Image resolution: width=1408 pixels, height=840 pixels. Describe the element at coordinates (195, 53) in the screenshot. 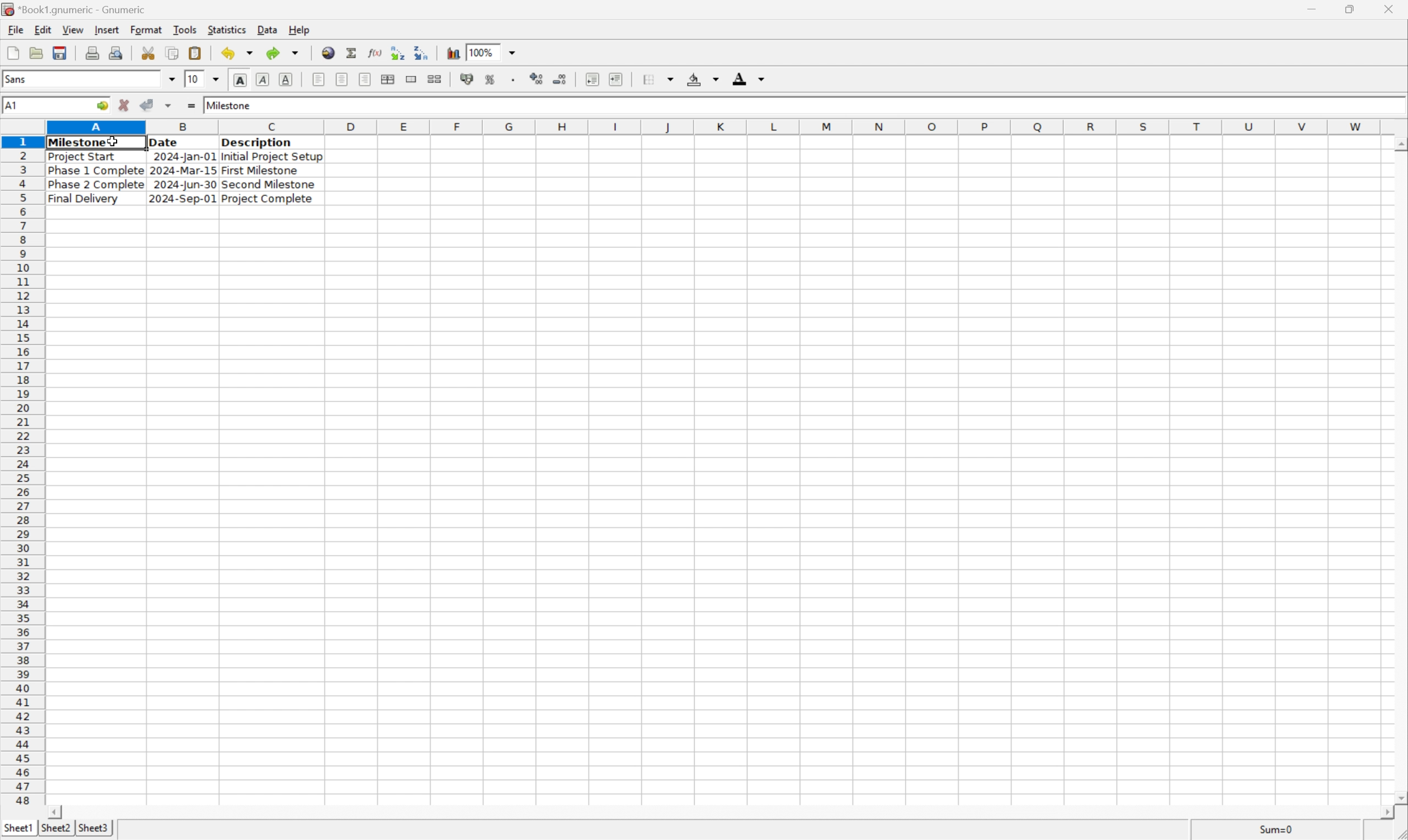

I see `paste` at that location.